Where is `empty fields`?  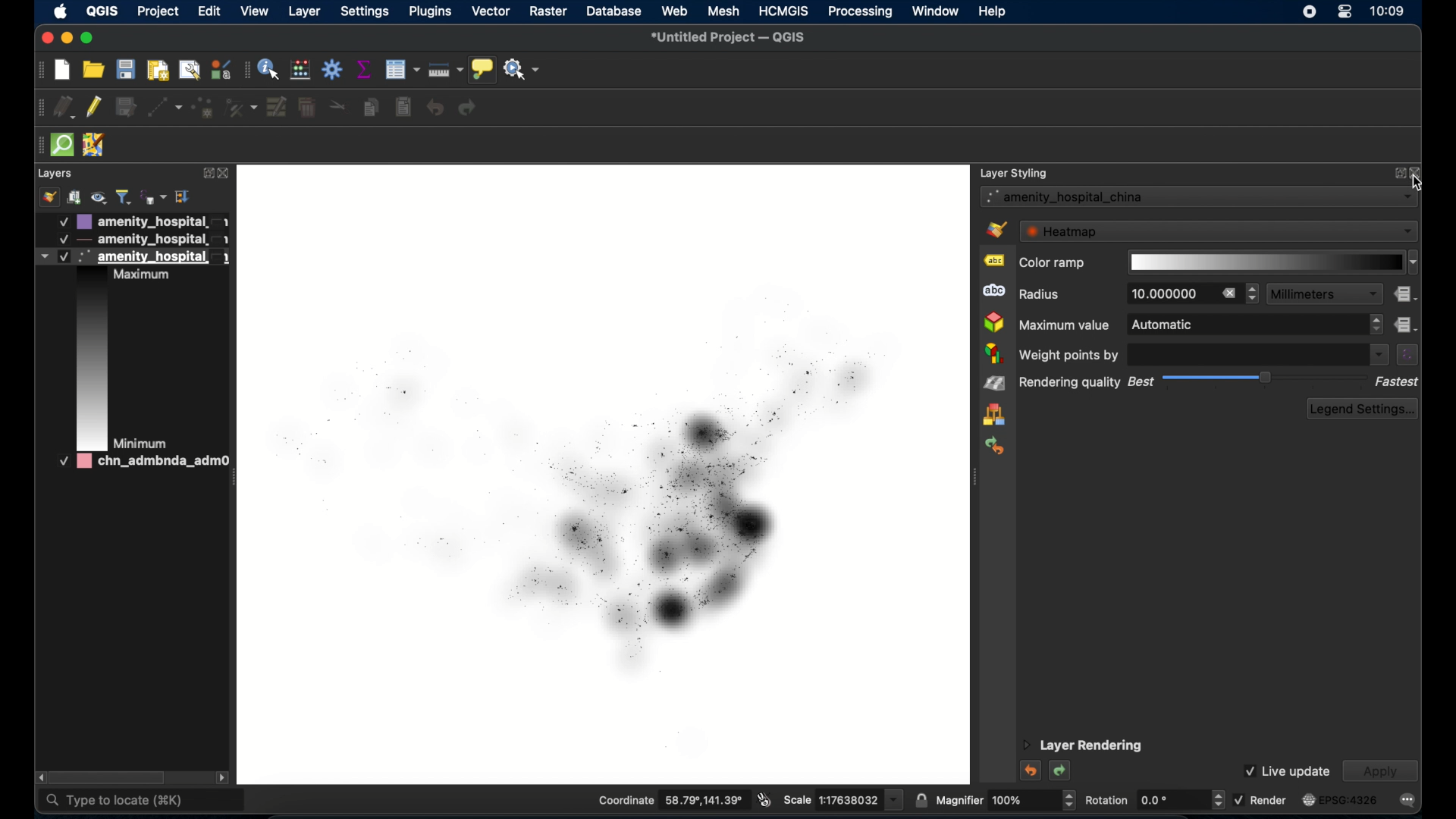
empty fields is located at coordinates (1257, 353).